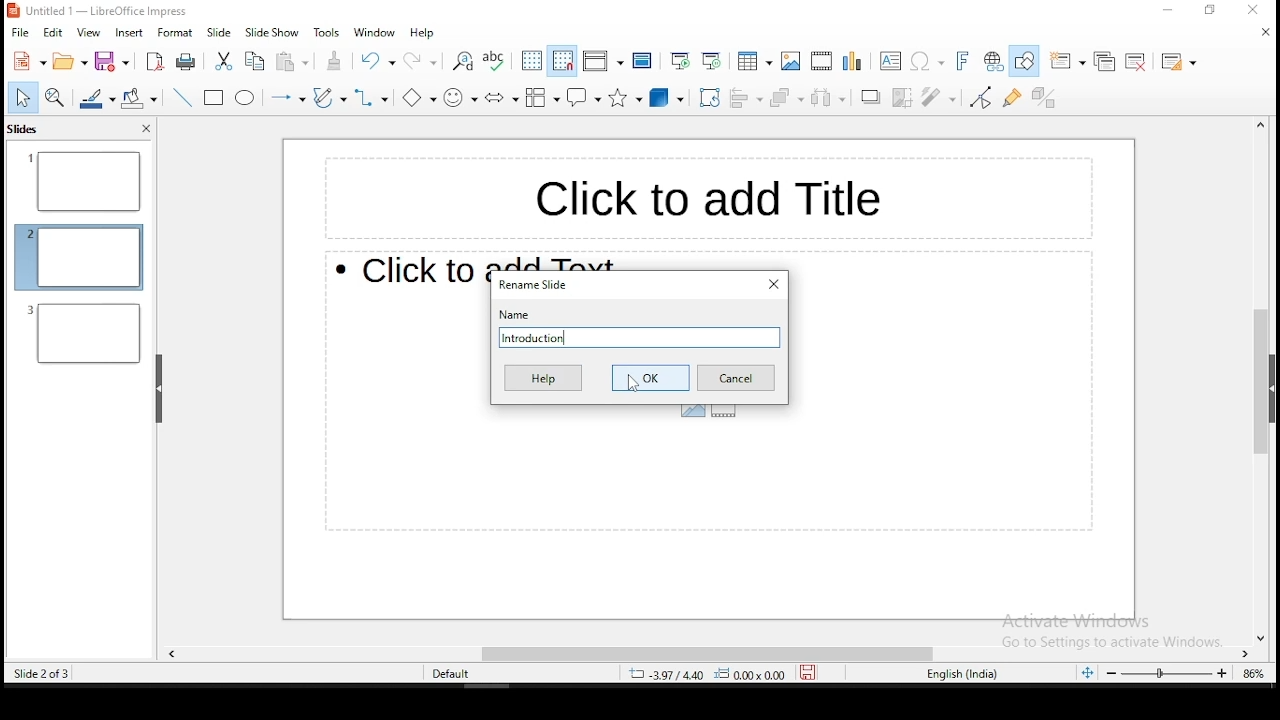  What do you see at coordinates (1213, 11) in the screenshot?
I see `restore` at bounding box center [1213, 11].